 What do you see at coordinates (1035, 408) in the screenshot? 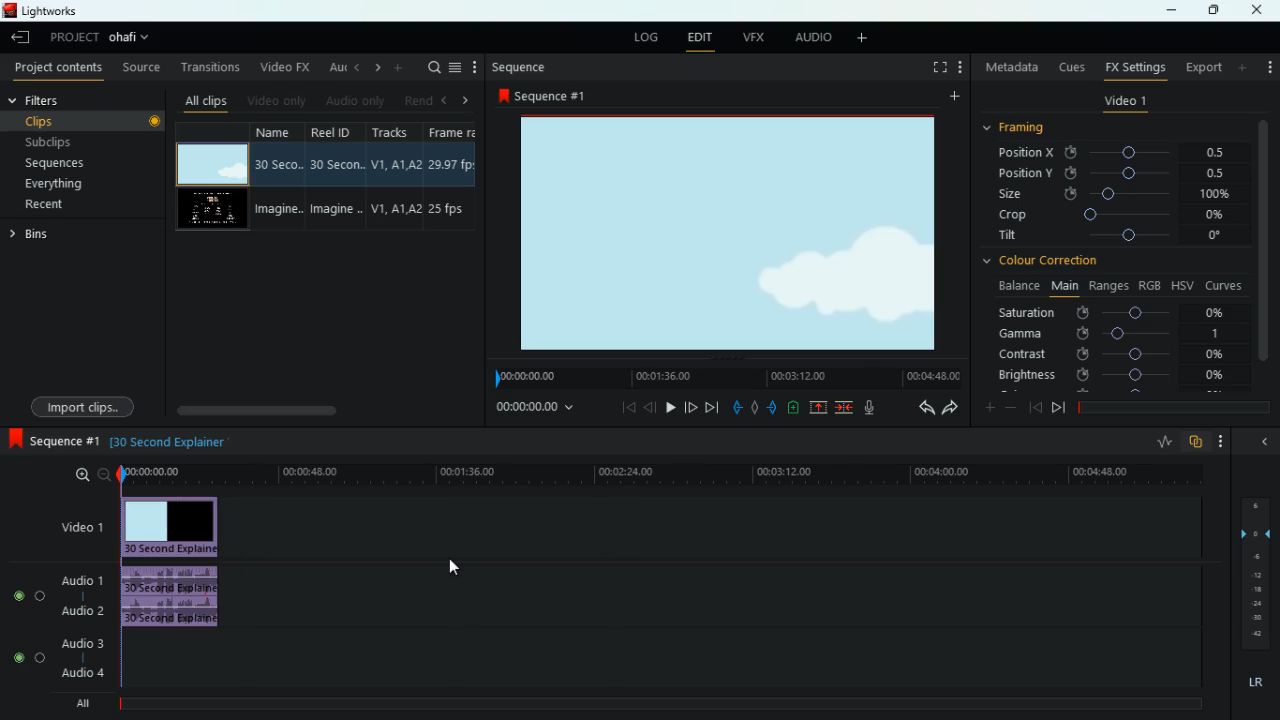
I see `back` at bounding box center [1035, 408].